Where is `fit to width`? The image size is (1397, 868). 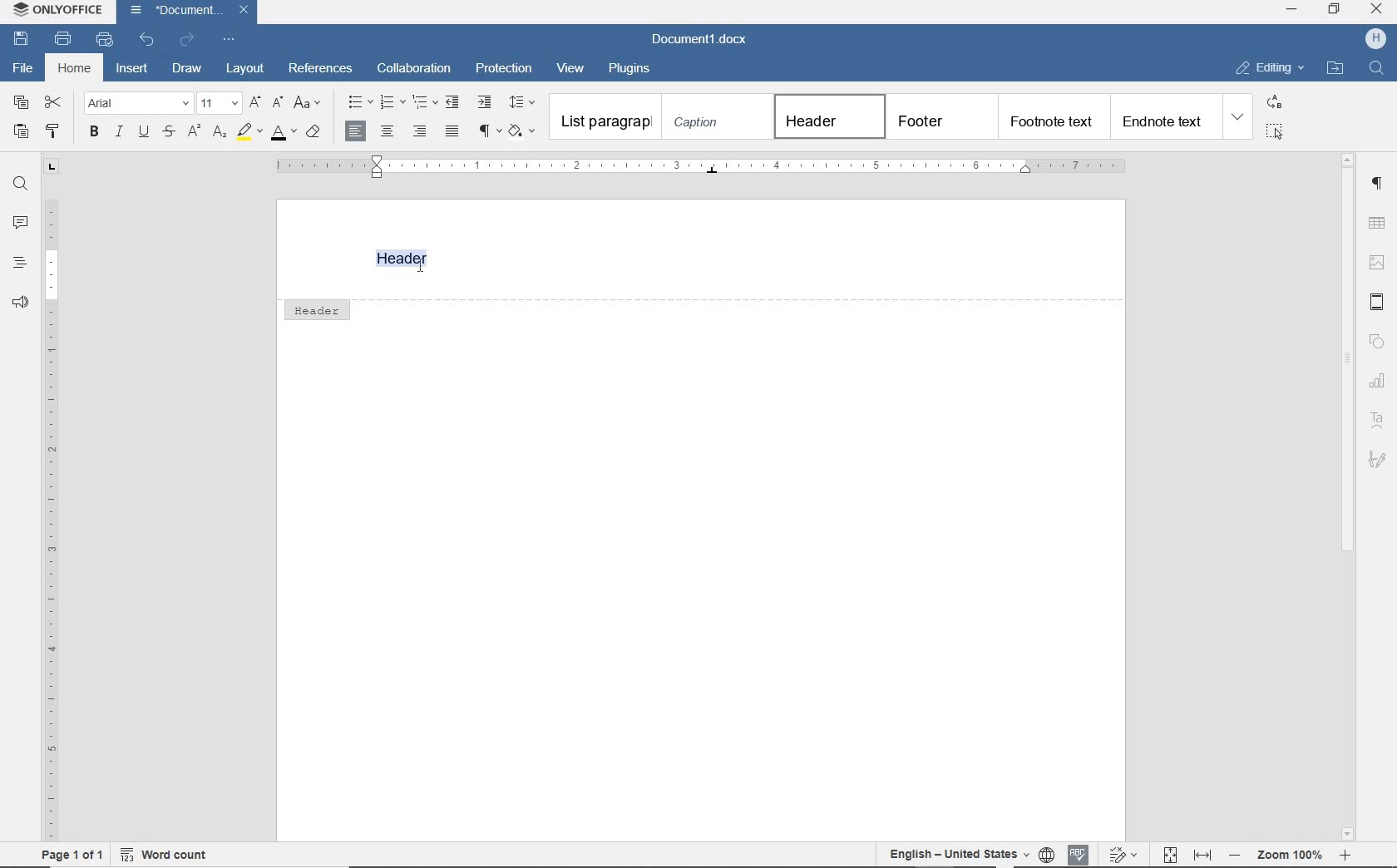 fit to width is located at coordinates (1203, 855).